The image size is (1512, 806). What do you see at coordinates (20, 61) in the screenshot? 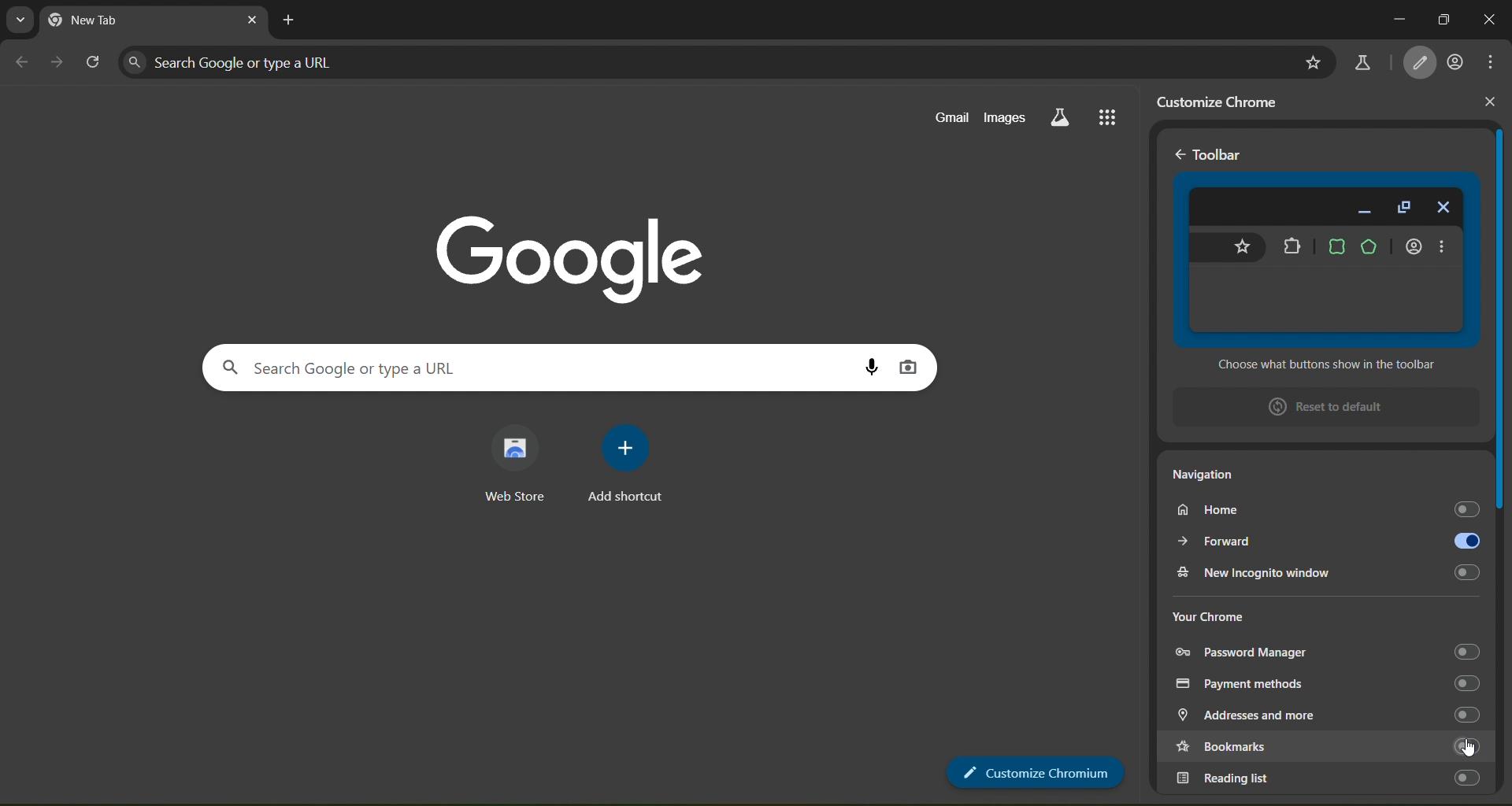
I see `go back one page` at bounding box center [20, 61].